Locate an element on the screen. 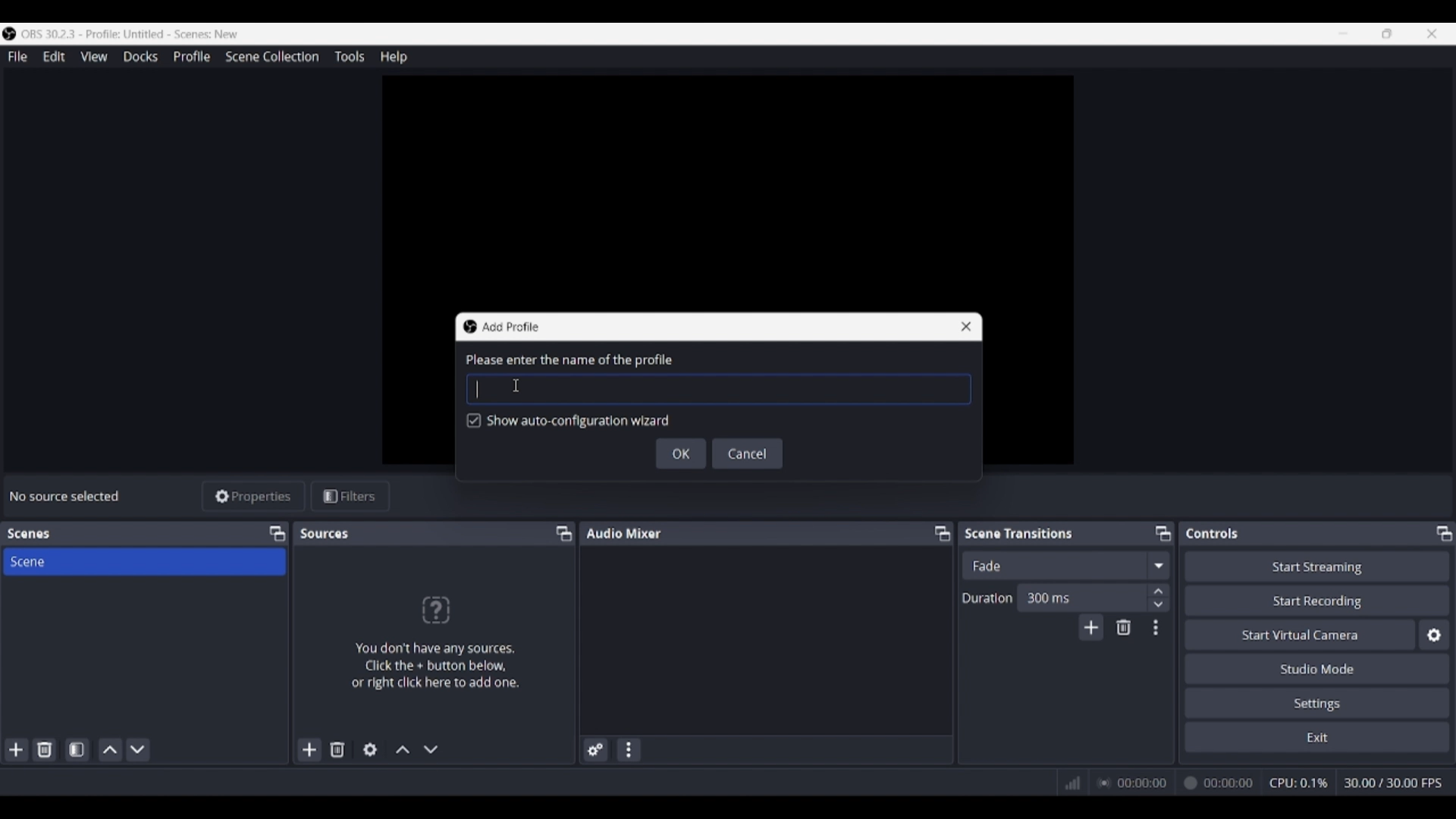  Save is located at coordinates (681, 453).